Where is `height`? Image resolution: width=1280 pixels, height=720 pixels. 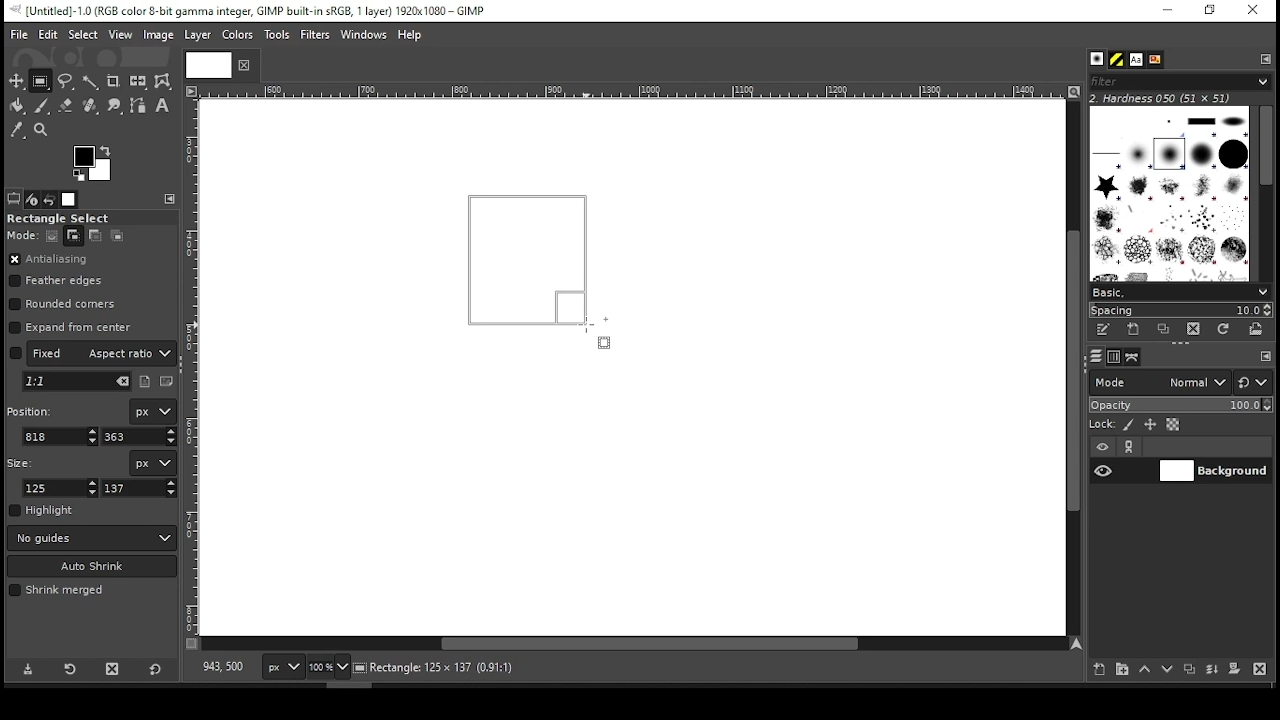
height is located at coordinates (140, 488).